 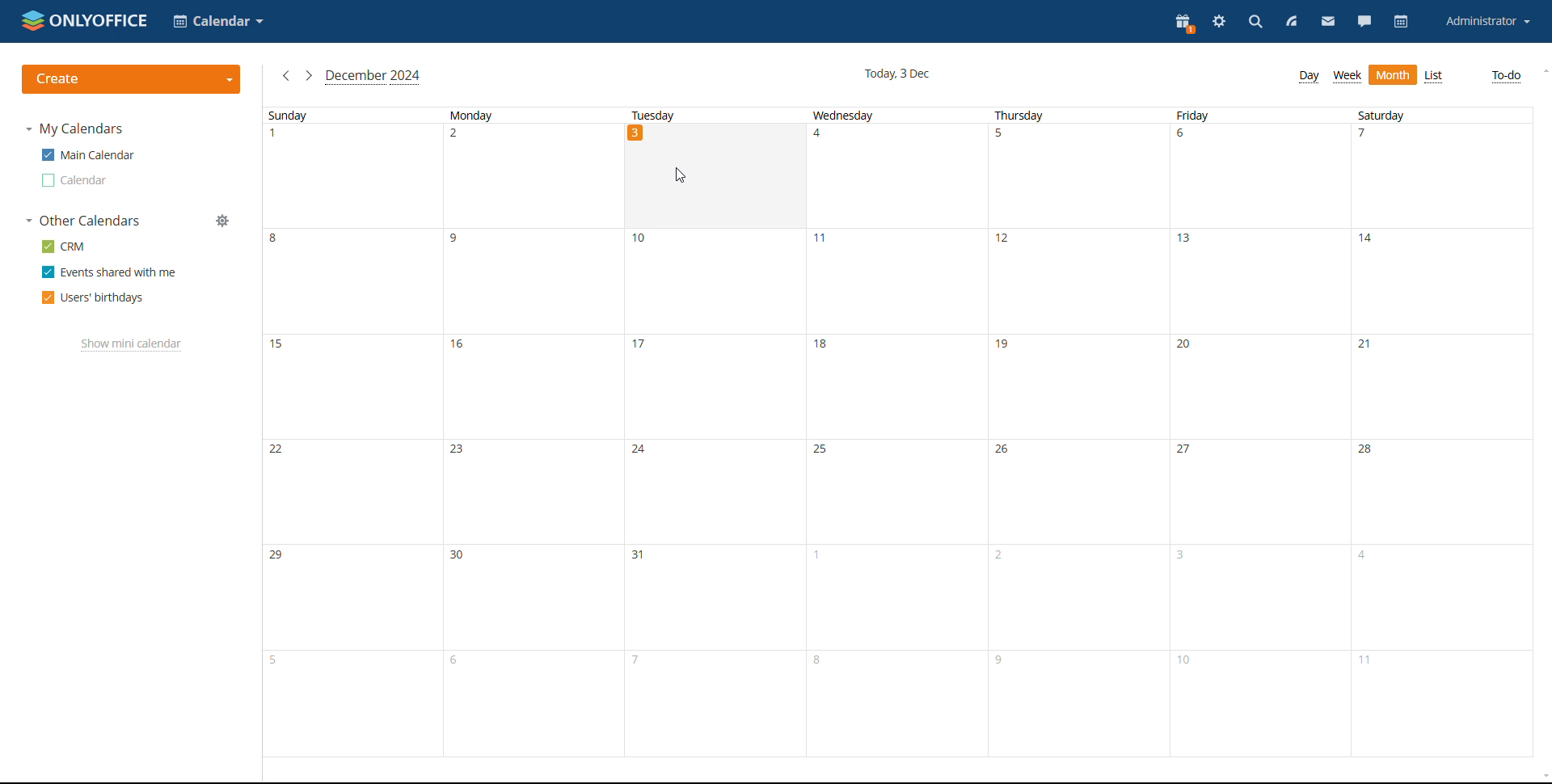 I want to click on crm, so click(x=63, y=246).